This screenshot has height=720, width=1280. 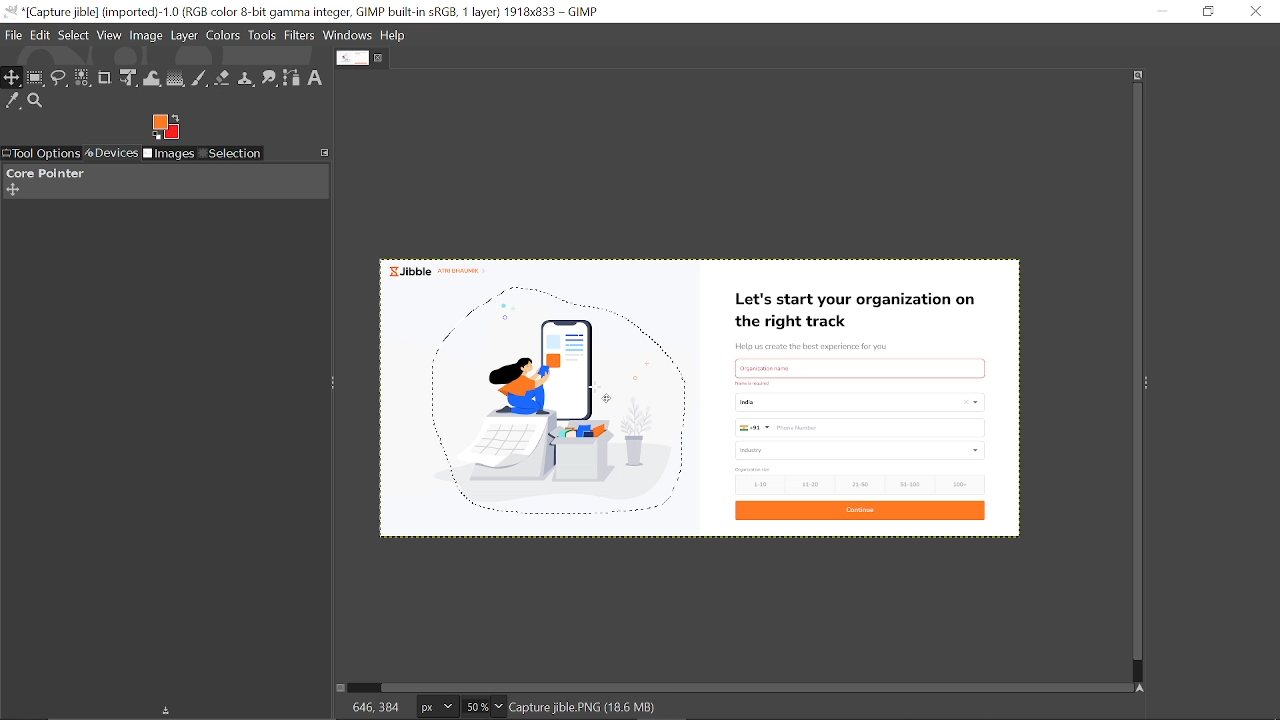 I want to click on View, so click(x=109, y=35).